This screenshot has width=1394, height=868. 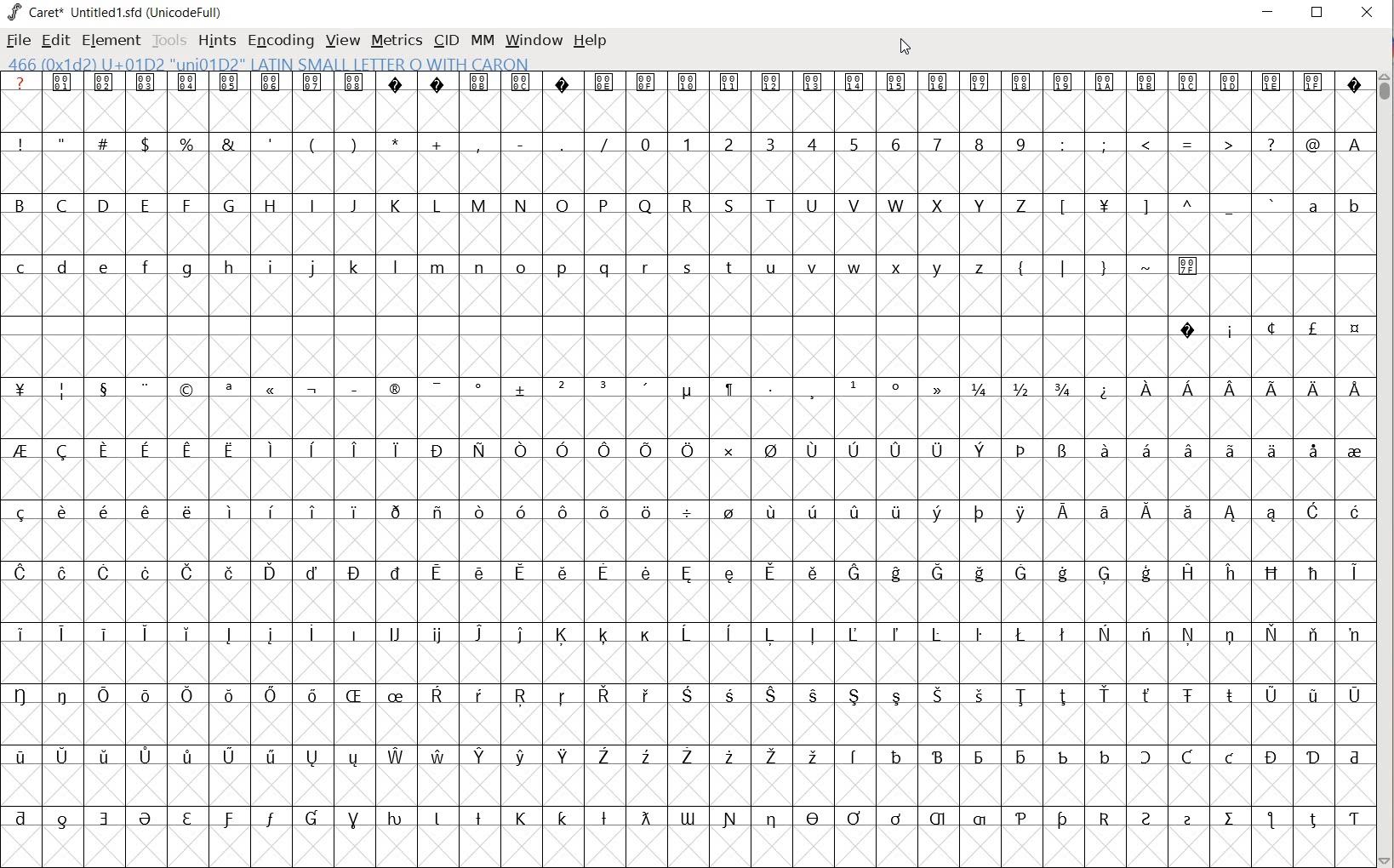 I want to click on CURSOR, so click(x=908, y=49).